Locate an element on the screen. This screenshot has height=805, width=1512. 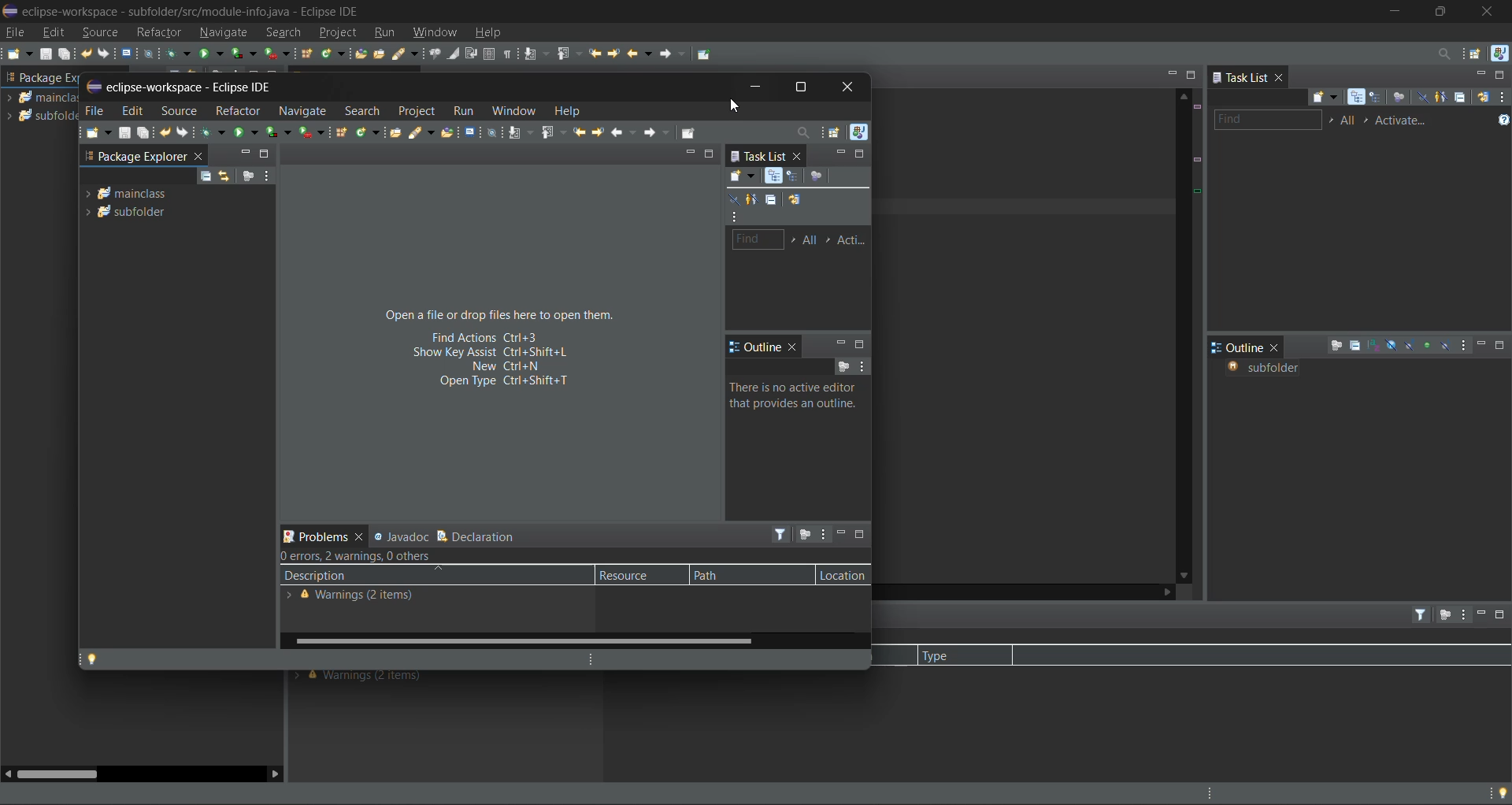
maximize is located at coordinates (863, 534).